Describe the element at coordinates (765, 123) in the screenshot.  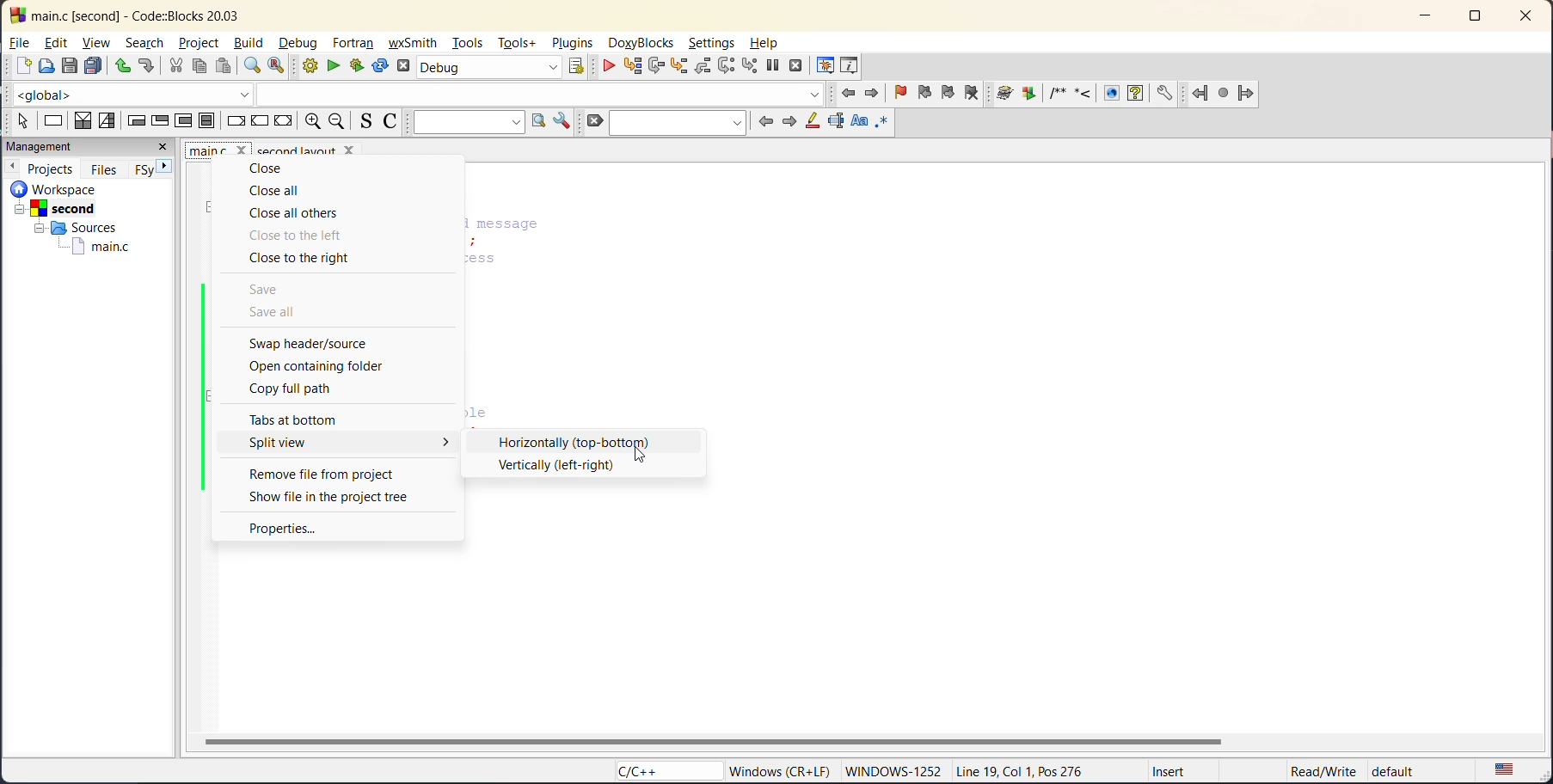
I see `previous` at that location.